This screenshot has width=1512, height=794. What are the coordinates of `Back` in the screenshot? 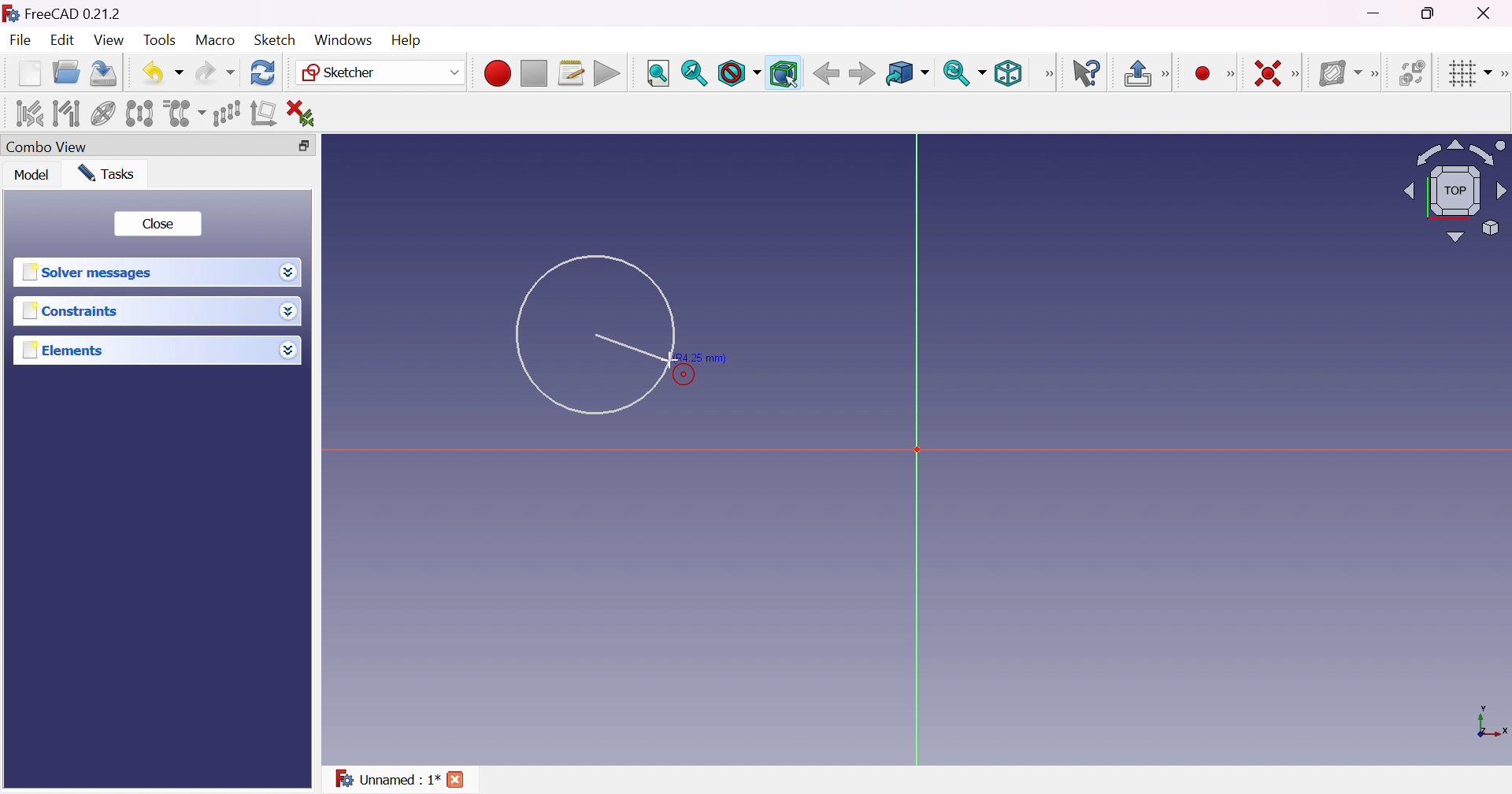 It's located at (861, 73).